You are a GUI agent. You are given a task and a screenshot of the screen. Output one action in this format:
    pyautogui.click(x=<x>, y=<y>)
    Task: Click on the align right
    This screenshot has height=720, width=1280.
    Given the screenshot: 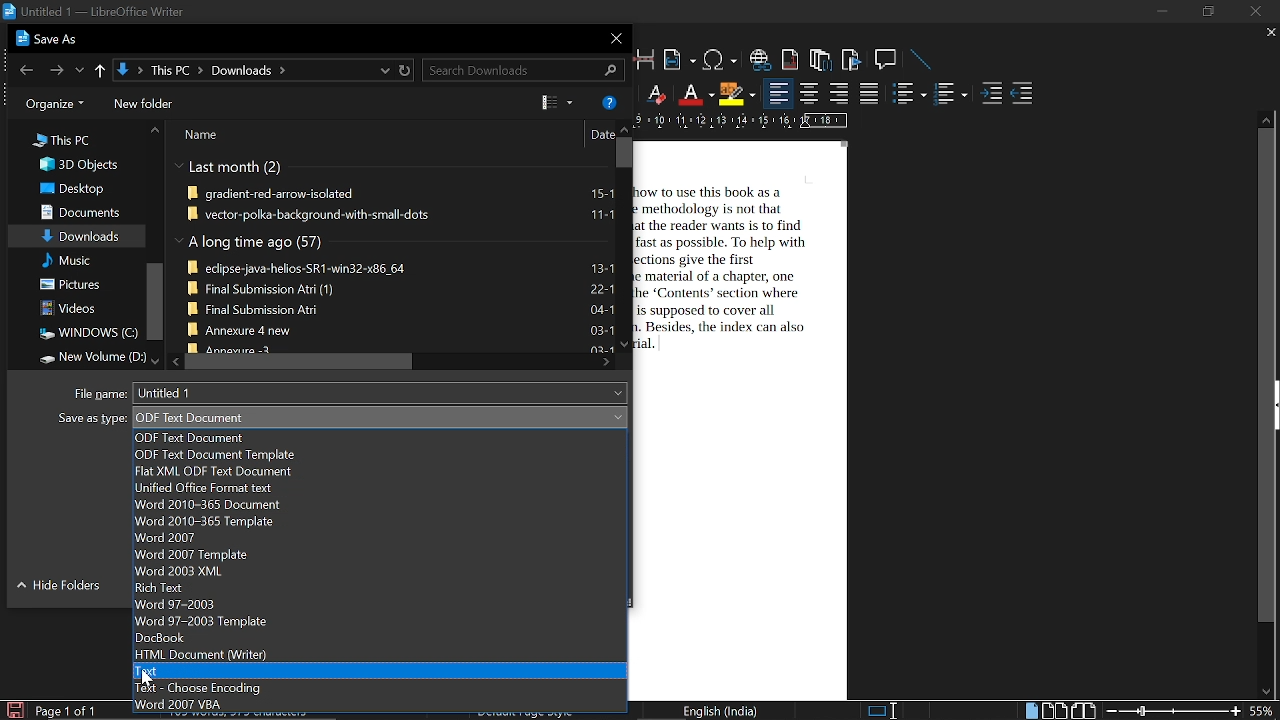 What is the action you would take?
    pyautogui.click(x=838, y=94)
    